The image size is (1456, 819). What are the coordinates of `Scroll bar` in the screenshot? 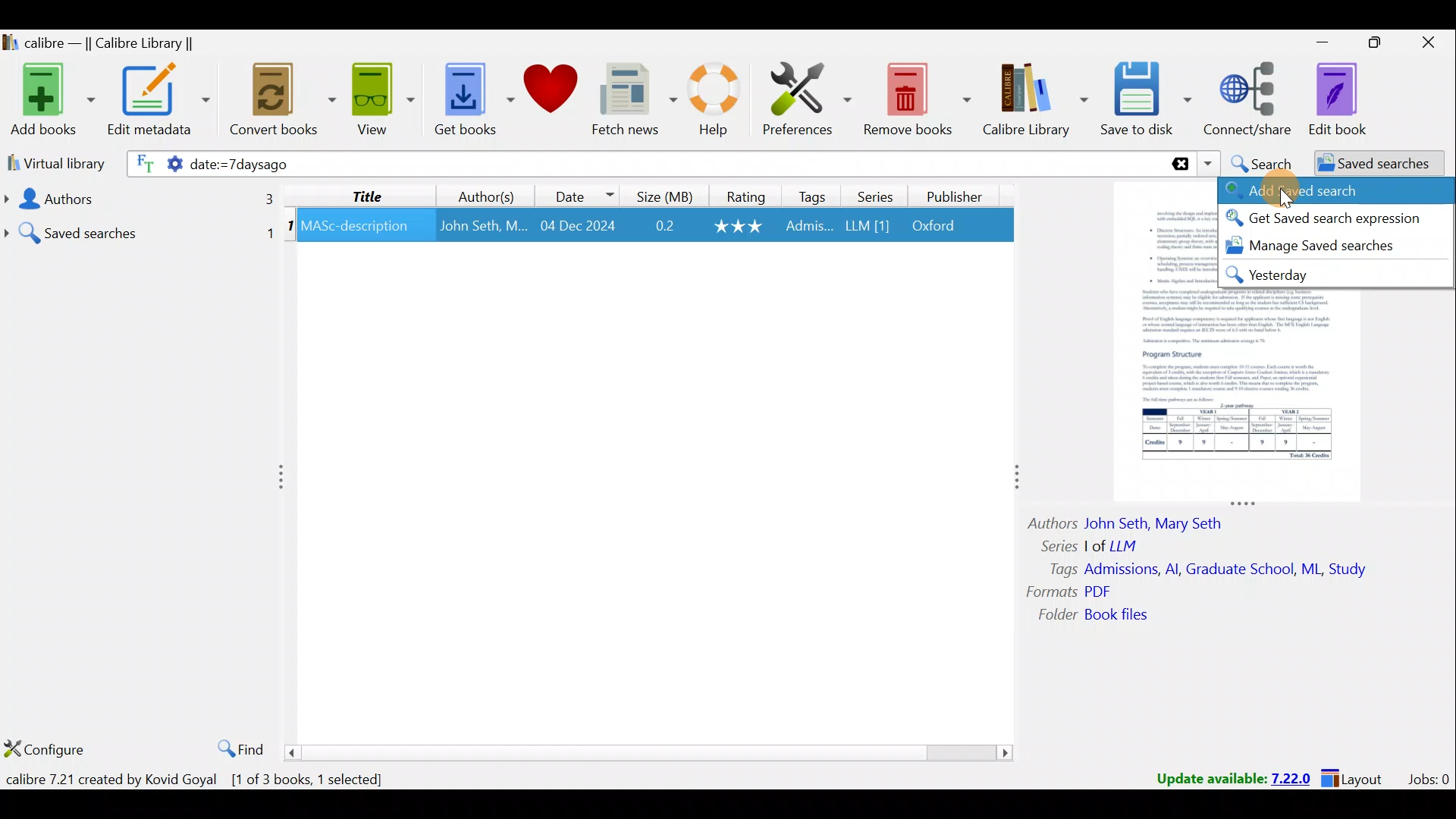 It's located at (651, 752).